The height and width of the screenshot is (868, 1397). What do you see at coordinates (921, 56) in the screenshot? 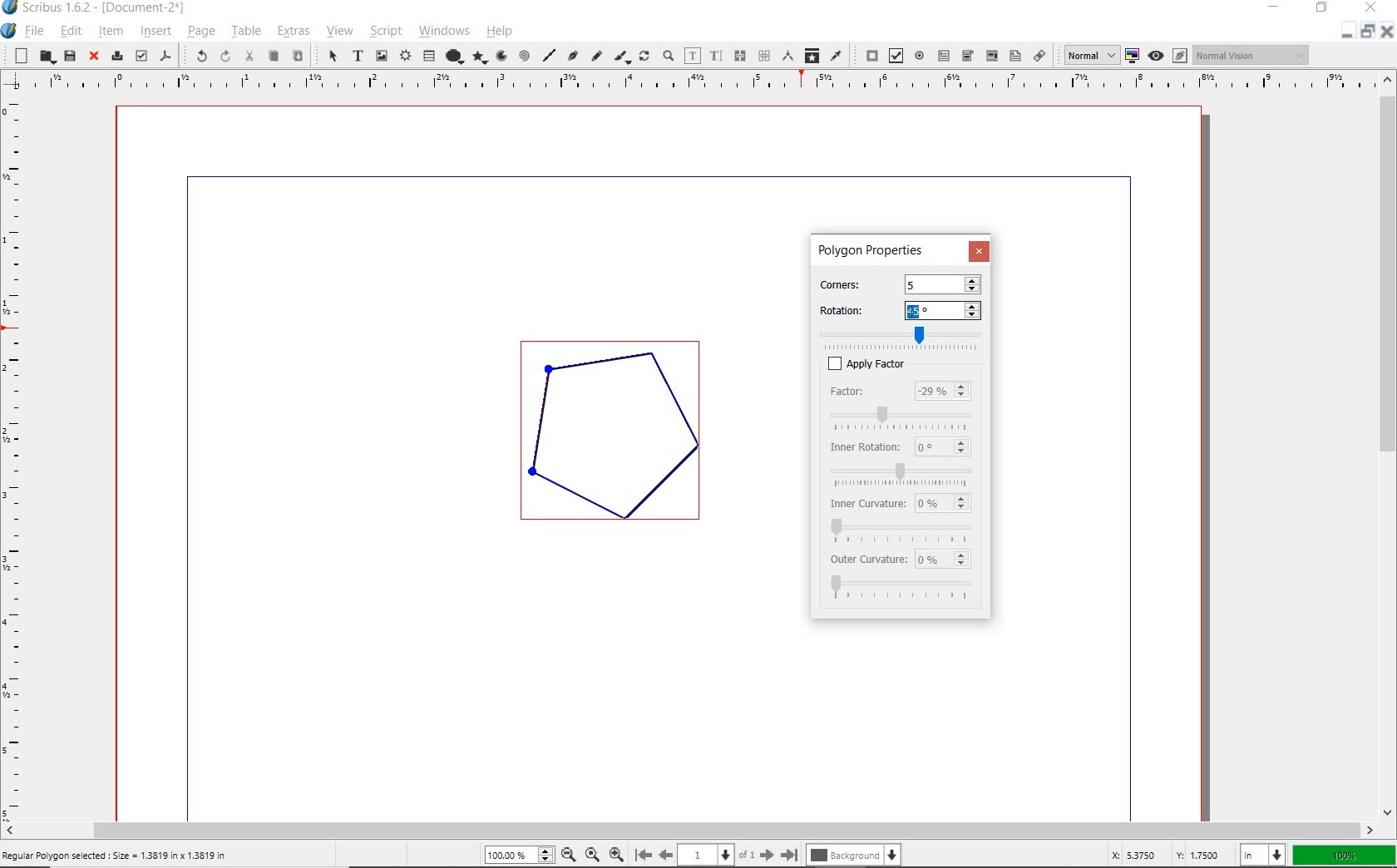
I see `pdf radio button` at bounding box center [921, 56].